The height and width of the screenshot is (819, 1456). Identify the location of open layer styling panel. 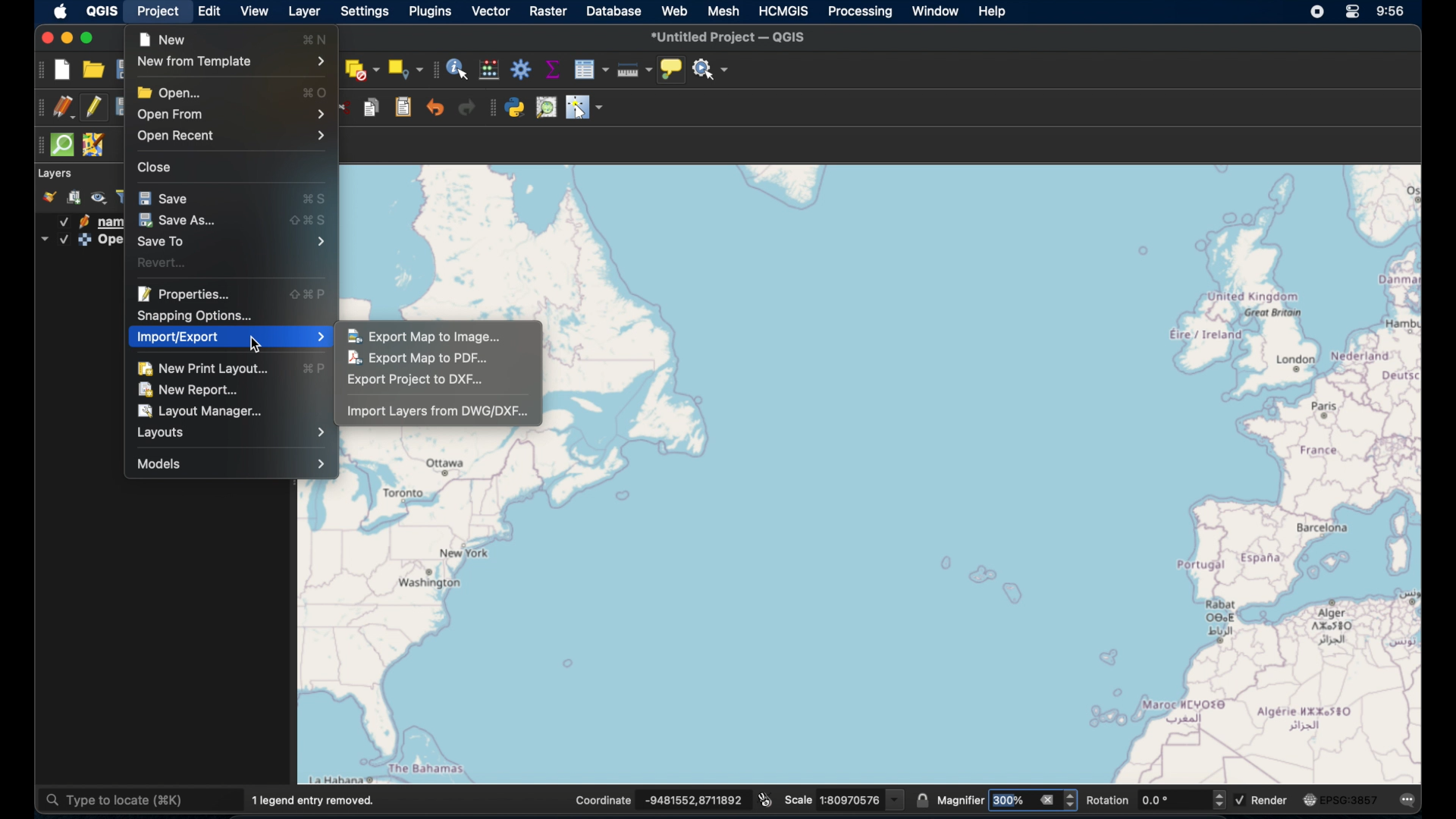
(49, 197).